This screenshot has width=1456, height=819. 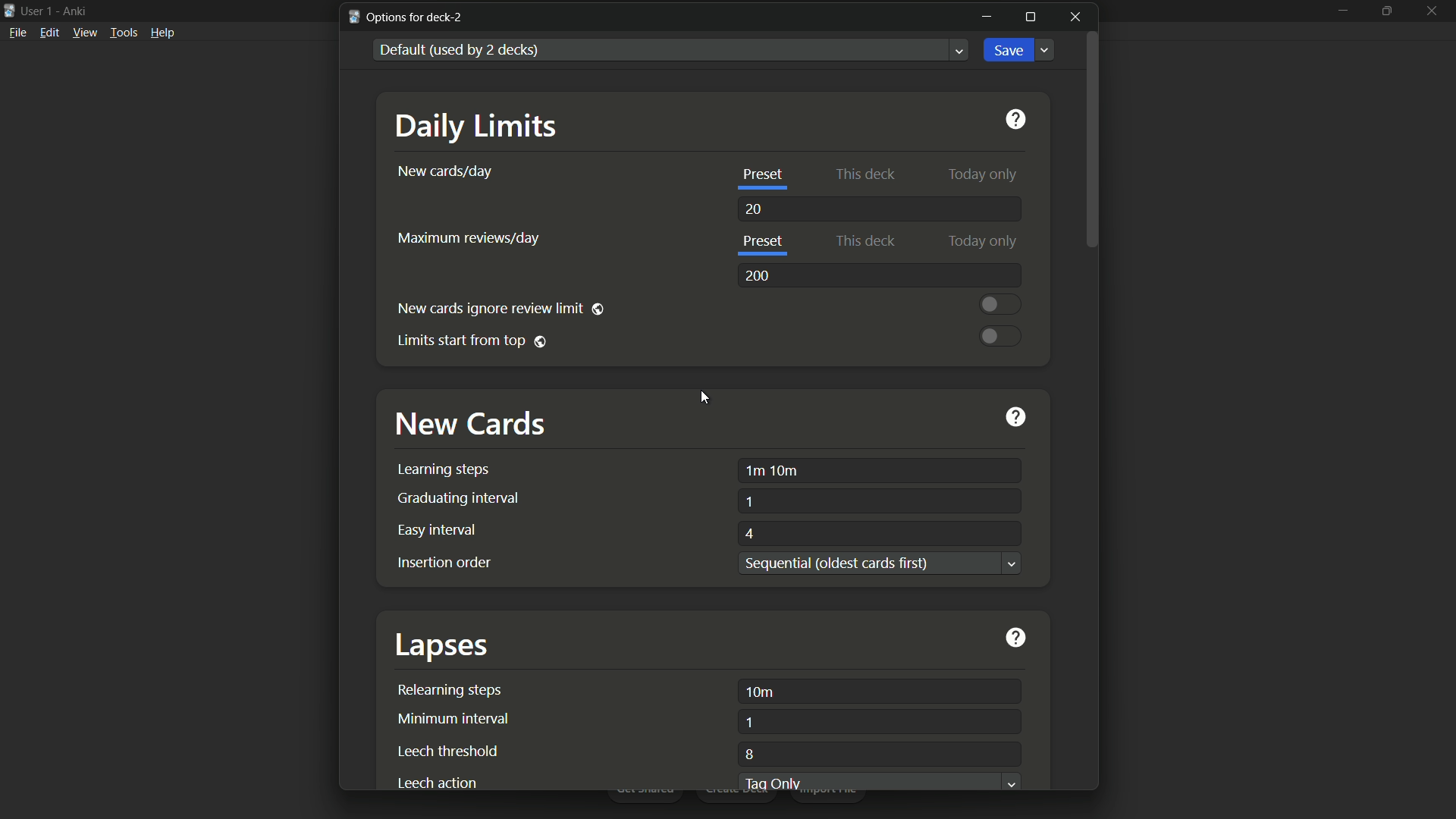 I want to click on daily limits, so click(x=481, y=125).